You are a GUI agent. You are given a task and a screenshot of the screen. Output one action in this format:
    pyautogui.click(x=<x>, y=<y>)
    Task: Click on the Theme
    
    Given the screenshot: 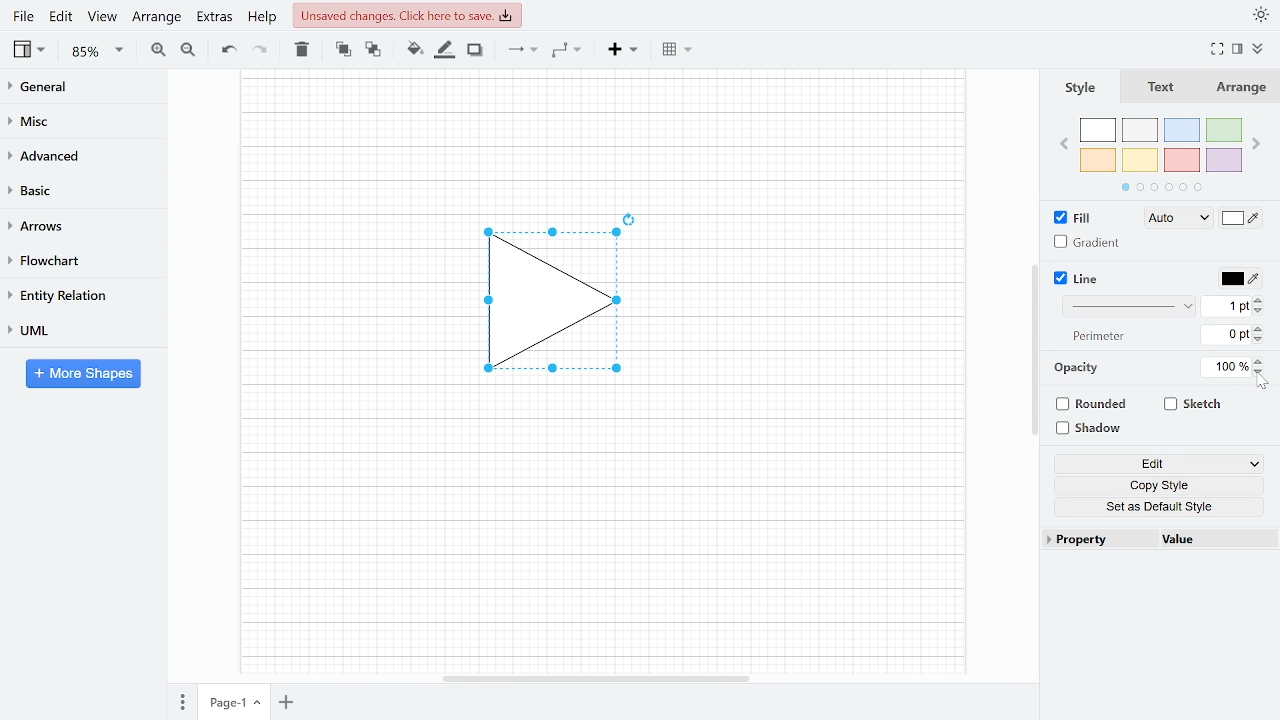 What is the action you would take?
    pyautogui.click(x=1262, y=14)
    